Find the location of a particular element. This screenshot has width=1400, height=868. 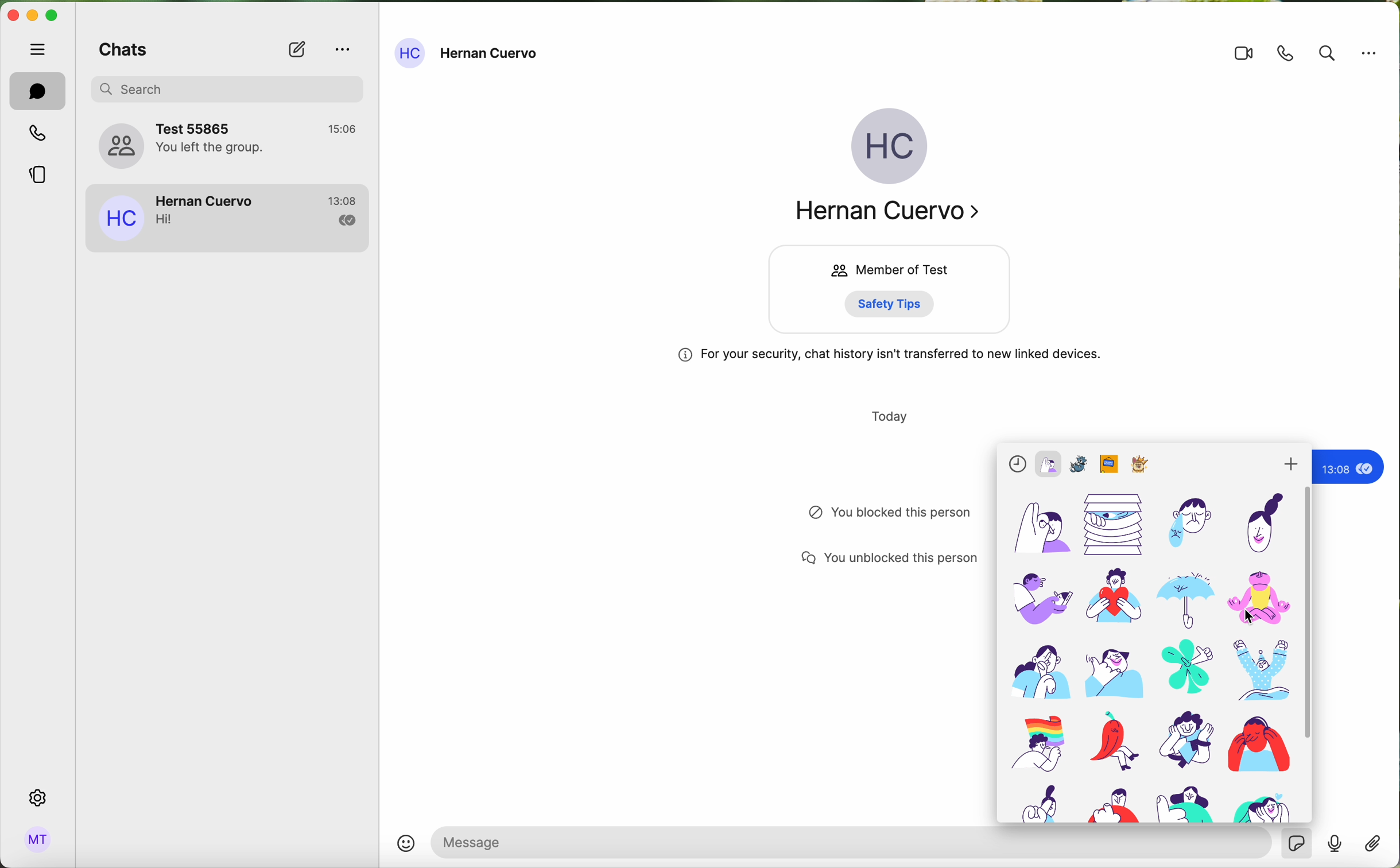

stories is located at coordinates (38, 178).